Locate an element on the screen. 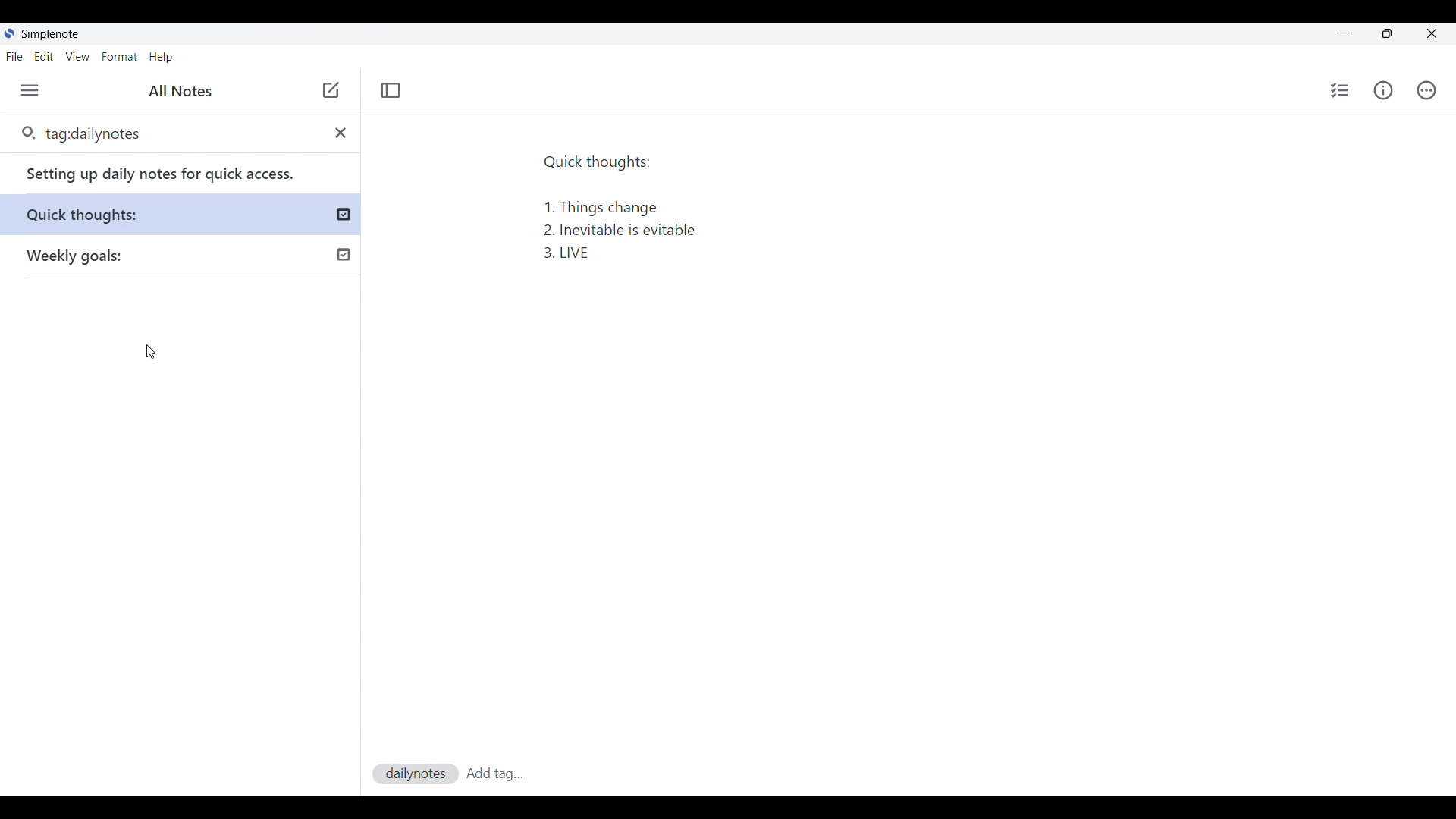 Image resolution: width=1456 pixels, height=819 pixels. Edit menu is located at coordinates (44, 57).